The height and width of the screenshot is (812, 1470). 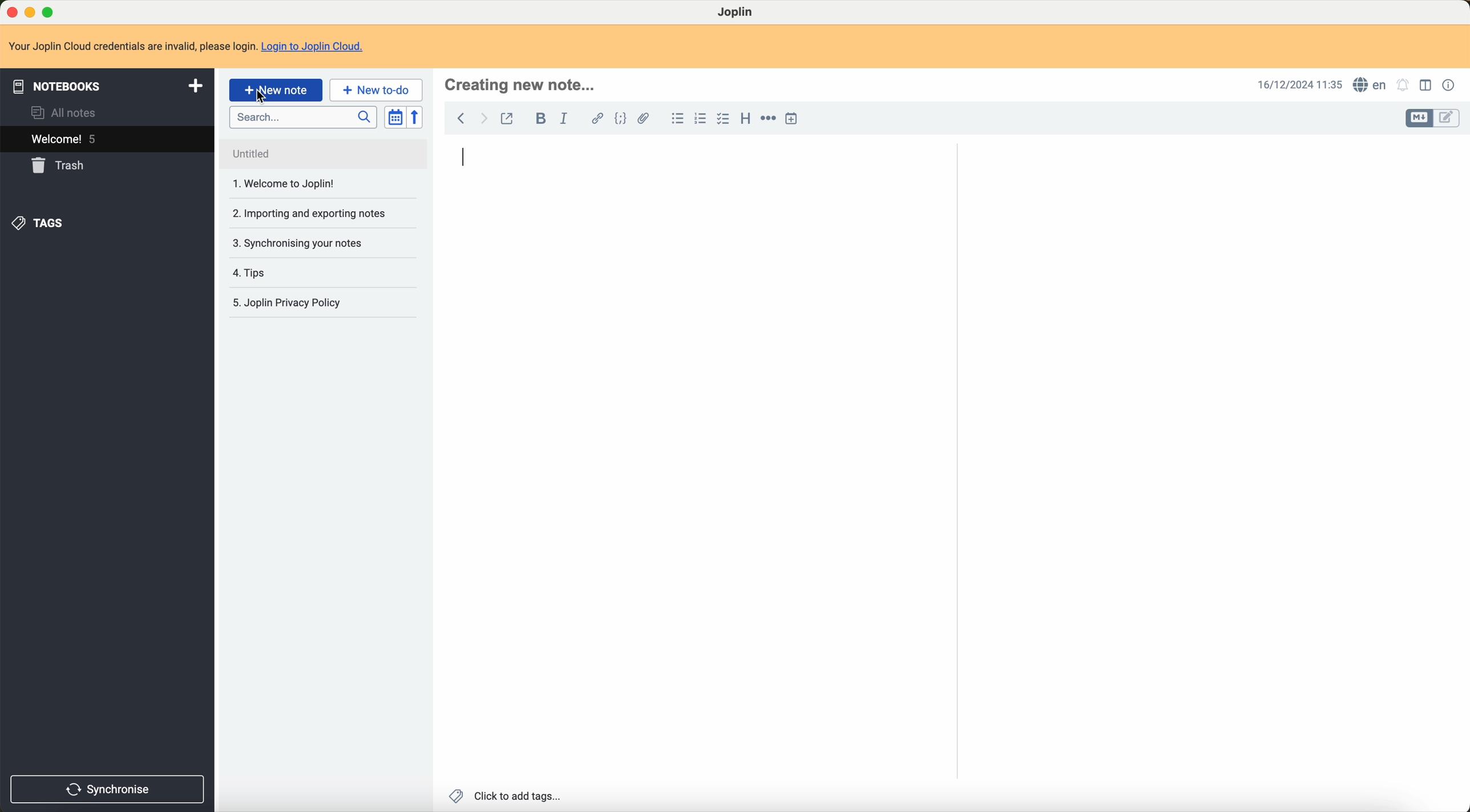 What do you see at coordinates (743, 119) in the screenshot?
I see `heading` at bounding box center [743, 119].